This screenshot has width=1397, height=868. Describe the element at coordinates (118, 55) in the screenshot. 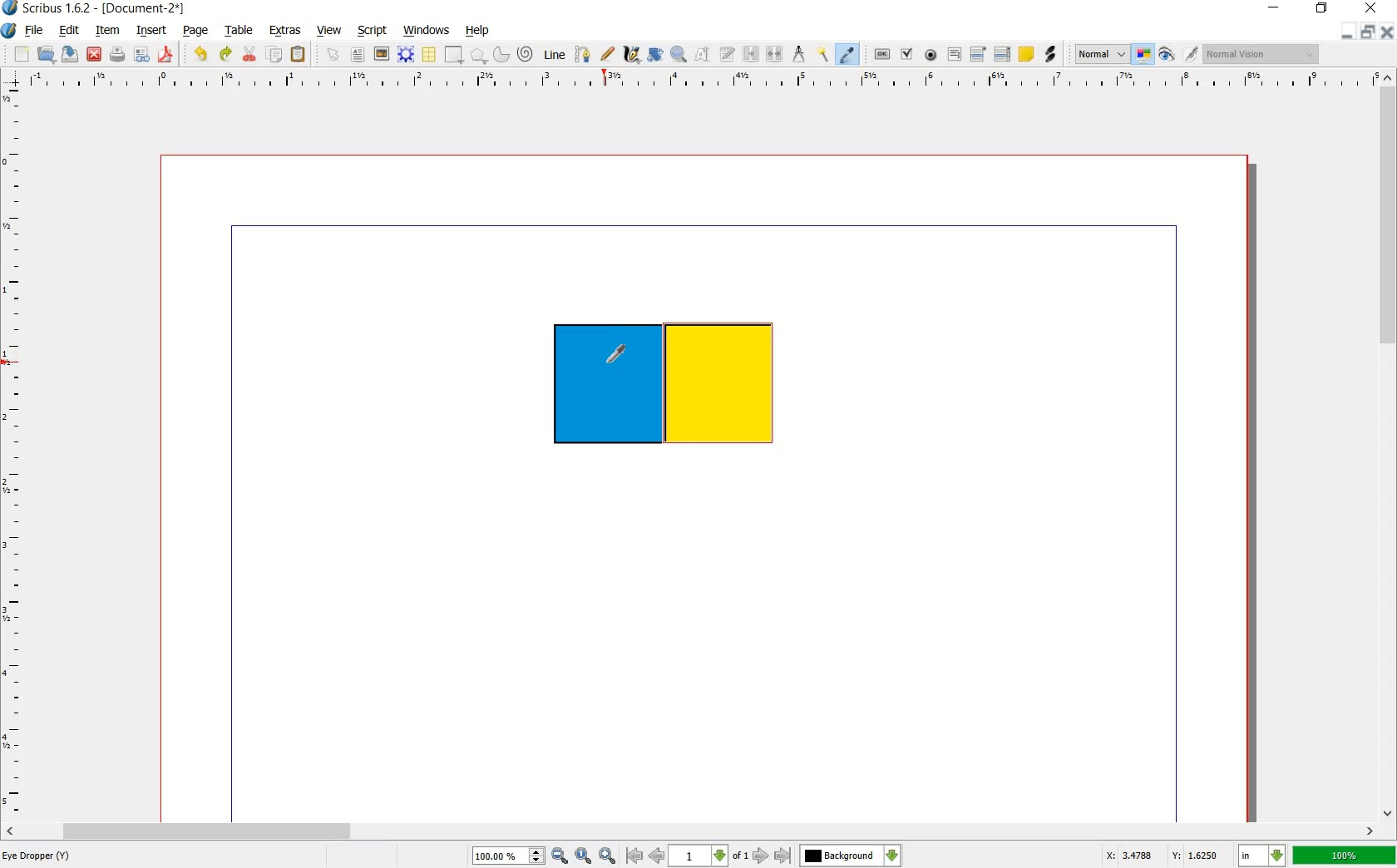

I see `print` at that location.